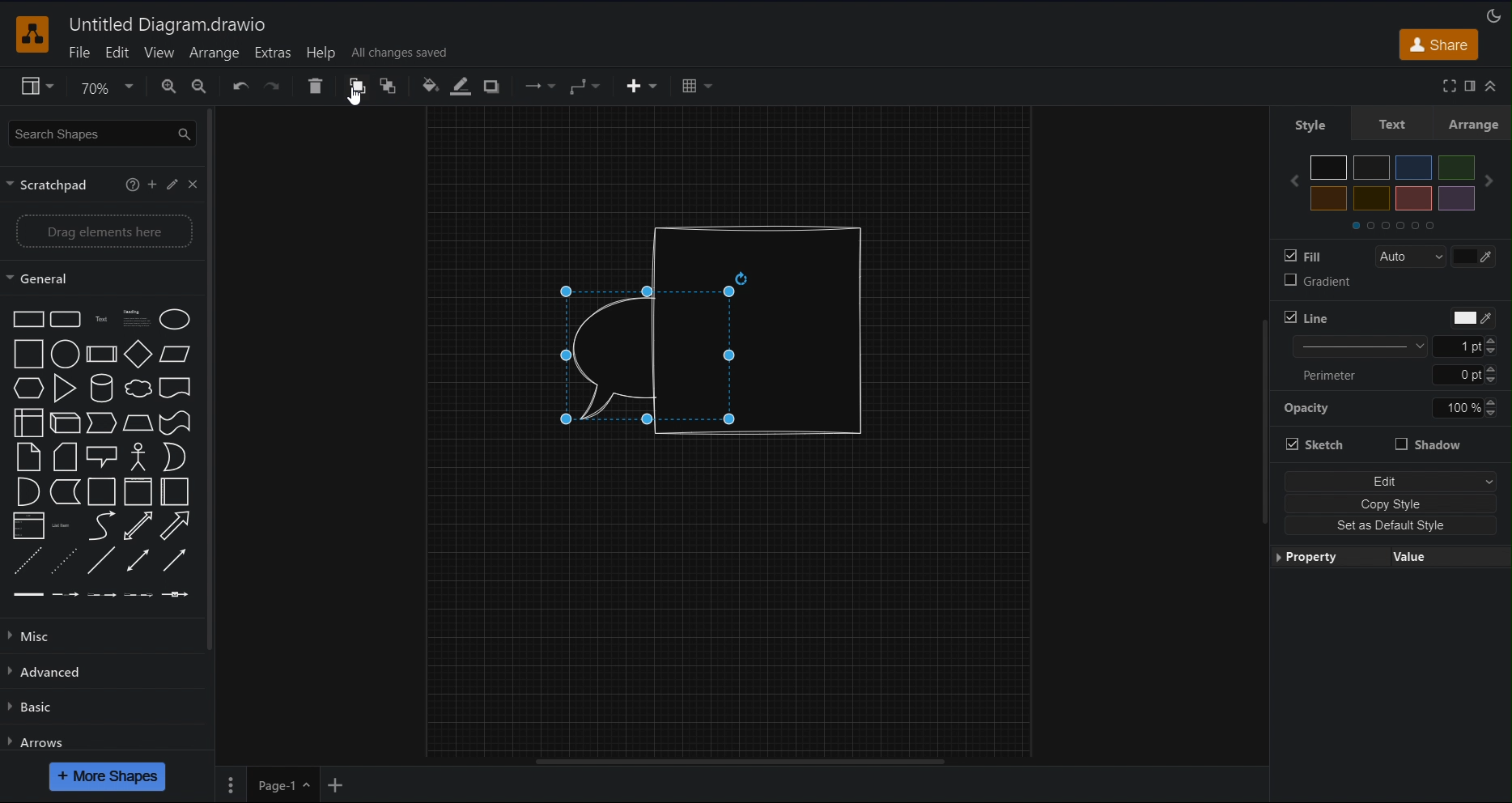 This screenshot has width=1512, height=803. Describe the element at coordinates (324, 52) in the screenshot. I see `Help` at that location.